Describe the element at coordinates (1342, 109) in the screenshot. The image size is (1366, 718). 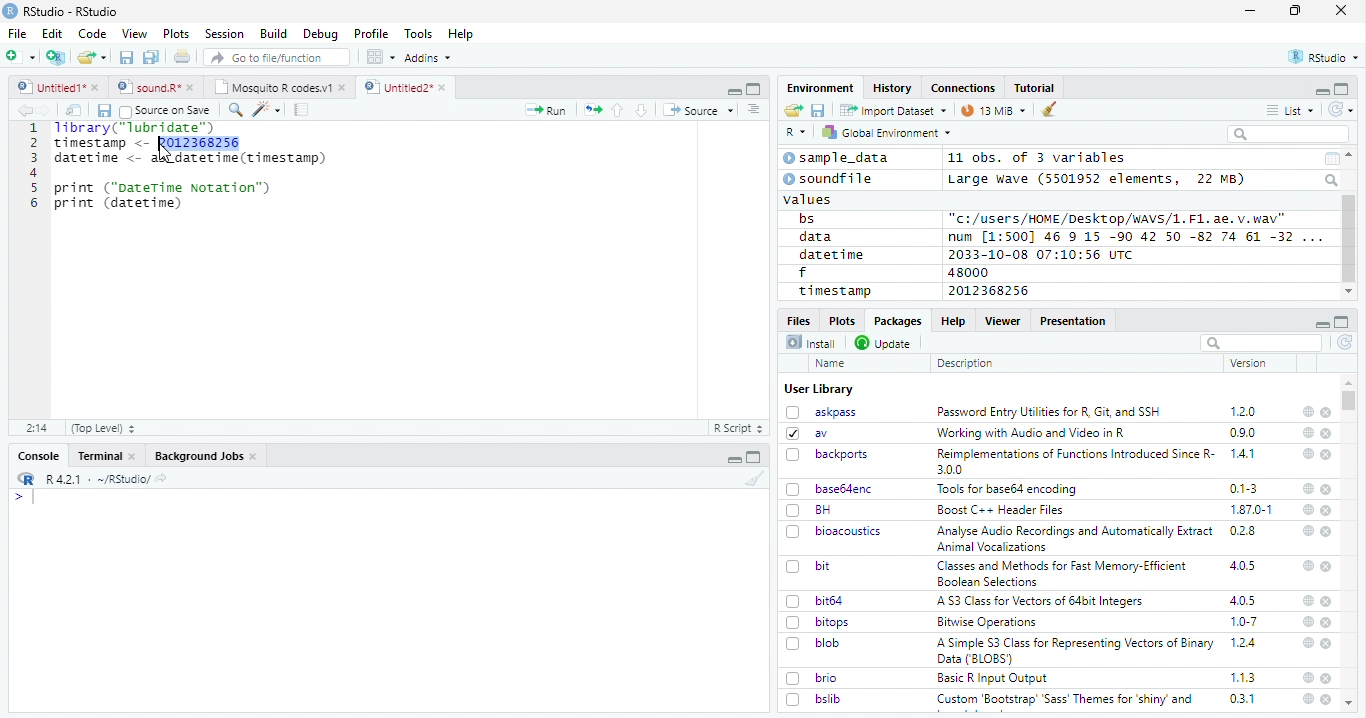
I see `Refresh` at that location.